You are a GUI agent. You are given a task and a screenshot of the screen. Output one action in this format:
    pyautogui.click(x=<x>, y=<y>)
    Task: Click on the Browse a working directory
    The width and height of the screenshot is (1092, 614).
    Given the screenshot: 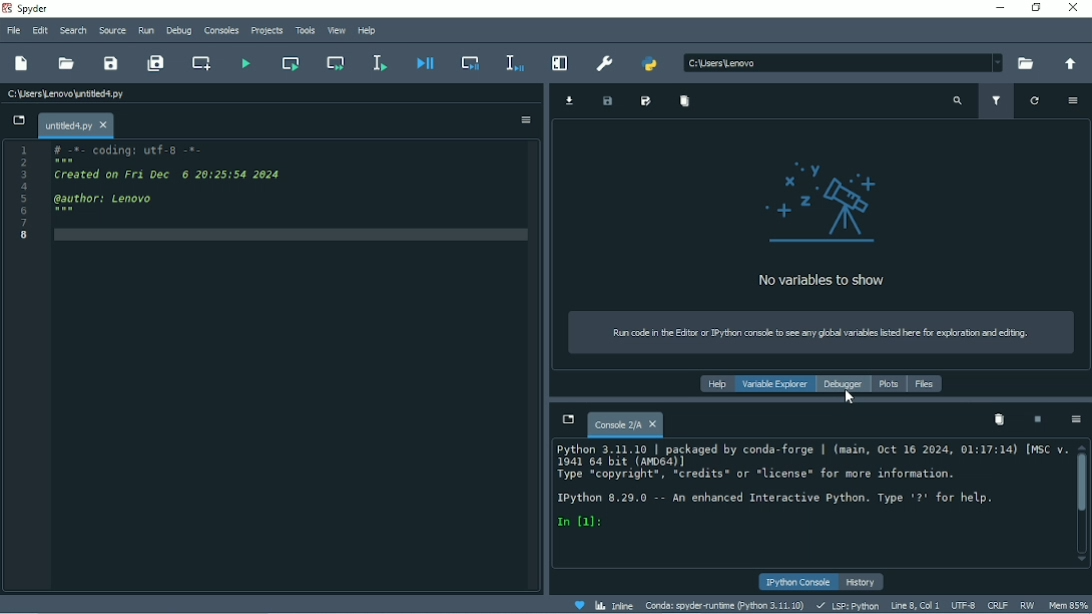 What is the action you would take?
    pyautogui.click(x=1025, y=64)
    